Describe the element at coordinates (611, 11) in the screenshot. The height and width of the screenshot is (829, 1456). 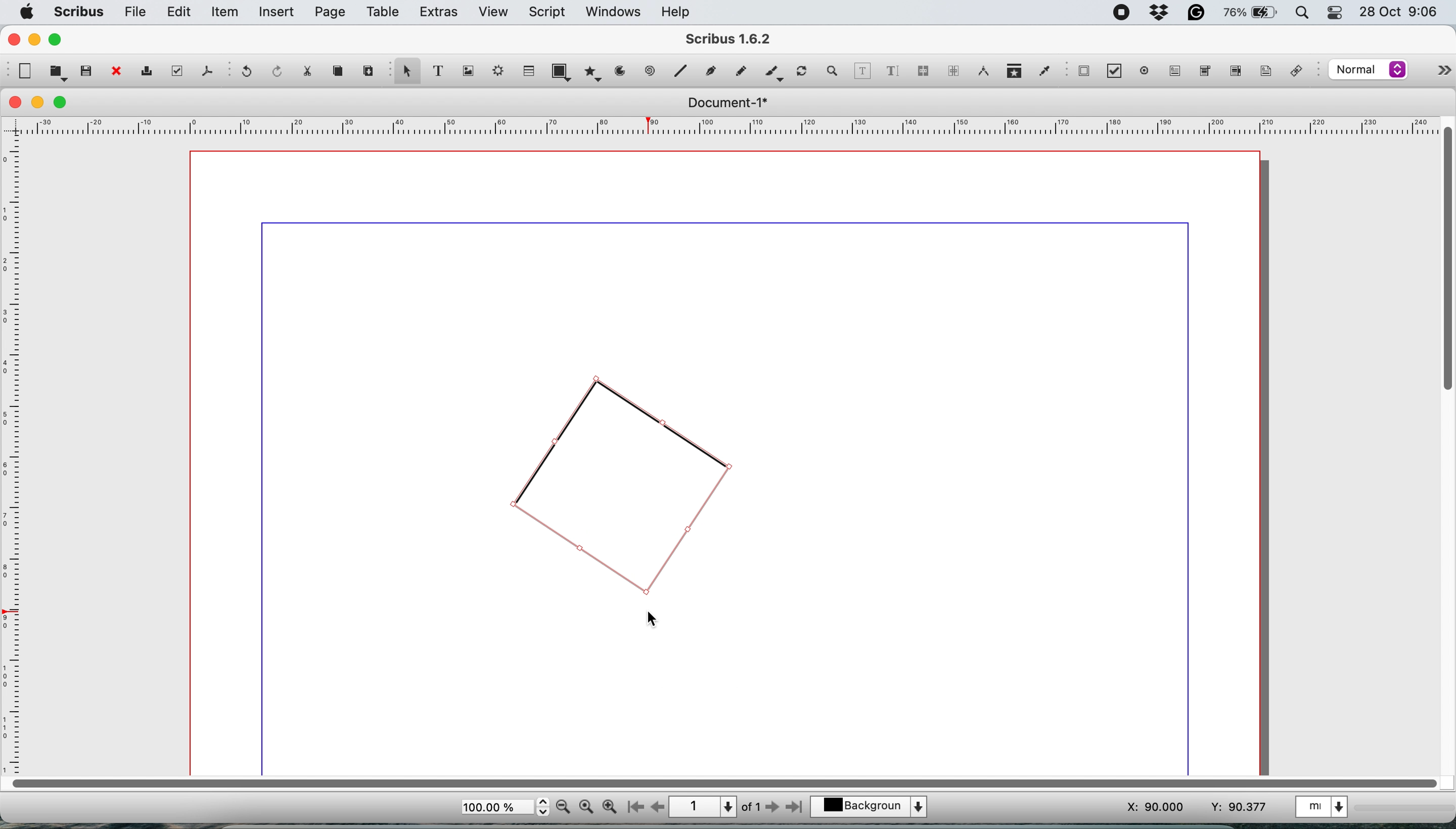
I see `windows` at that location.